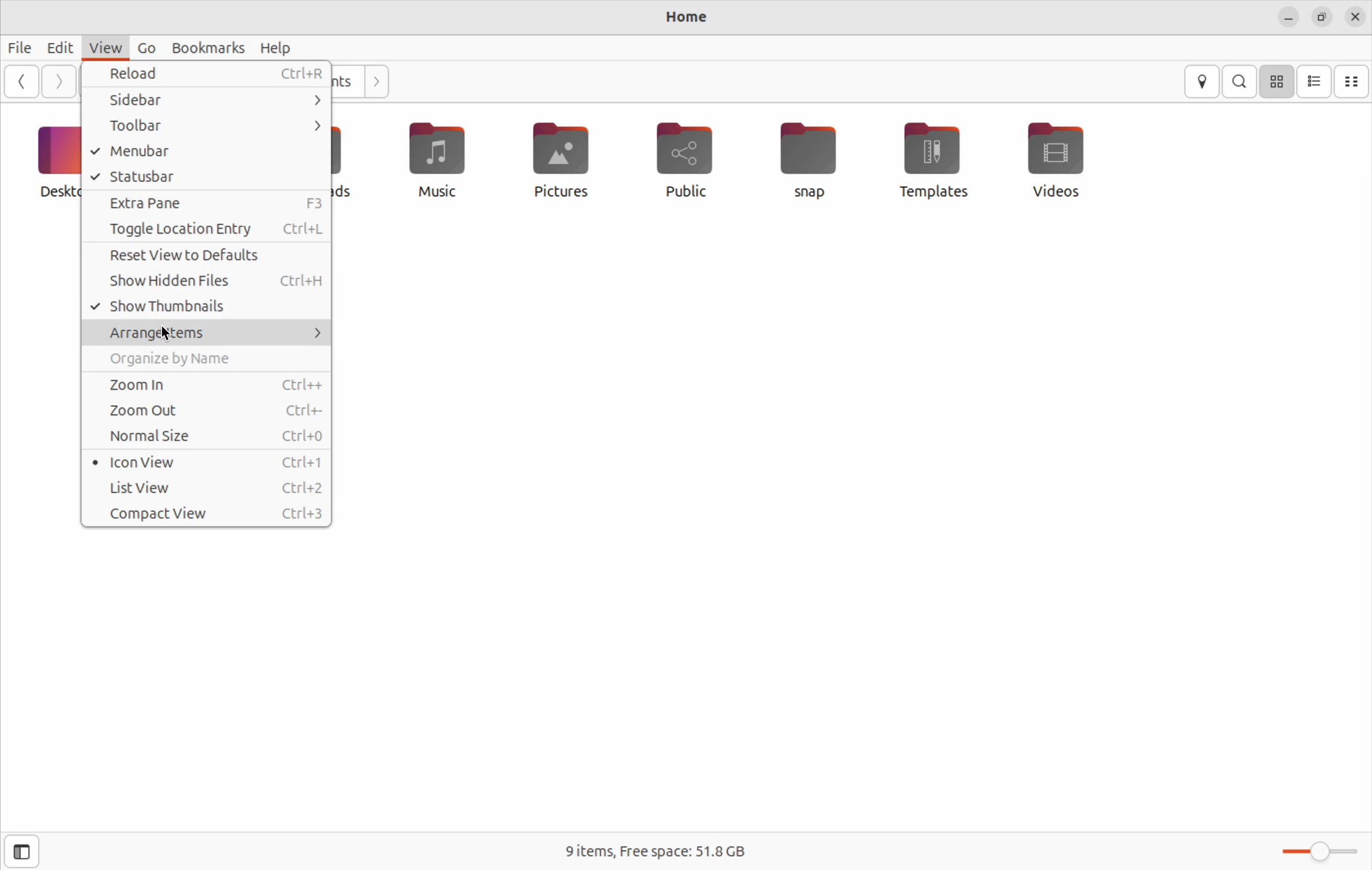 The height and width of the screenshot is (870, 1372). Describe the element at coordinates (210, 126) in the screenshot. I see `toolbar` at that location.